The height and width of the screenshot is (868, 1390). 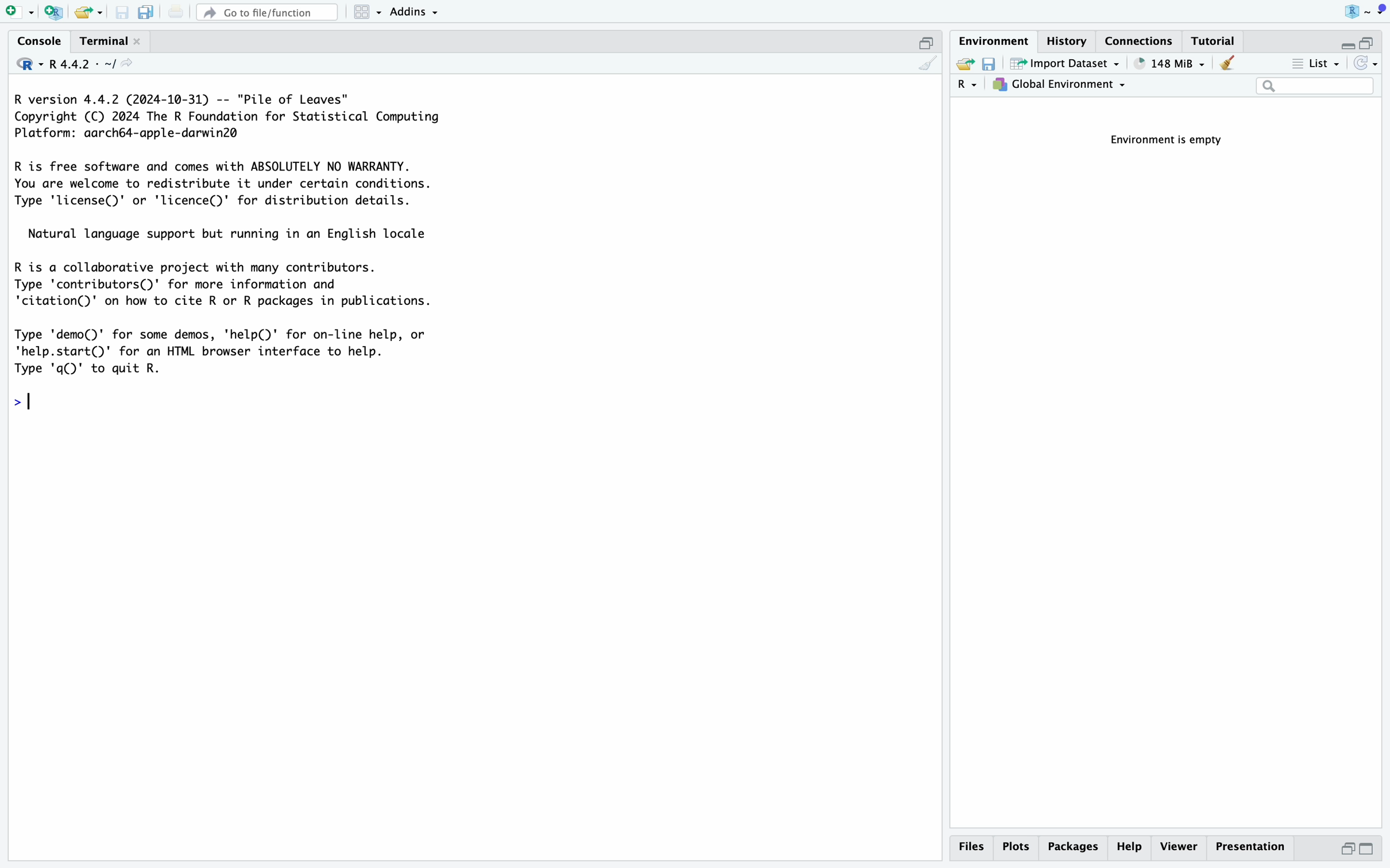 What do you see at coordinates (34, 40) in the screenshot?
I see `console` at bounding box center [34, 40].